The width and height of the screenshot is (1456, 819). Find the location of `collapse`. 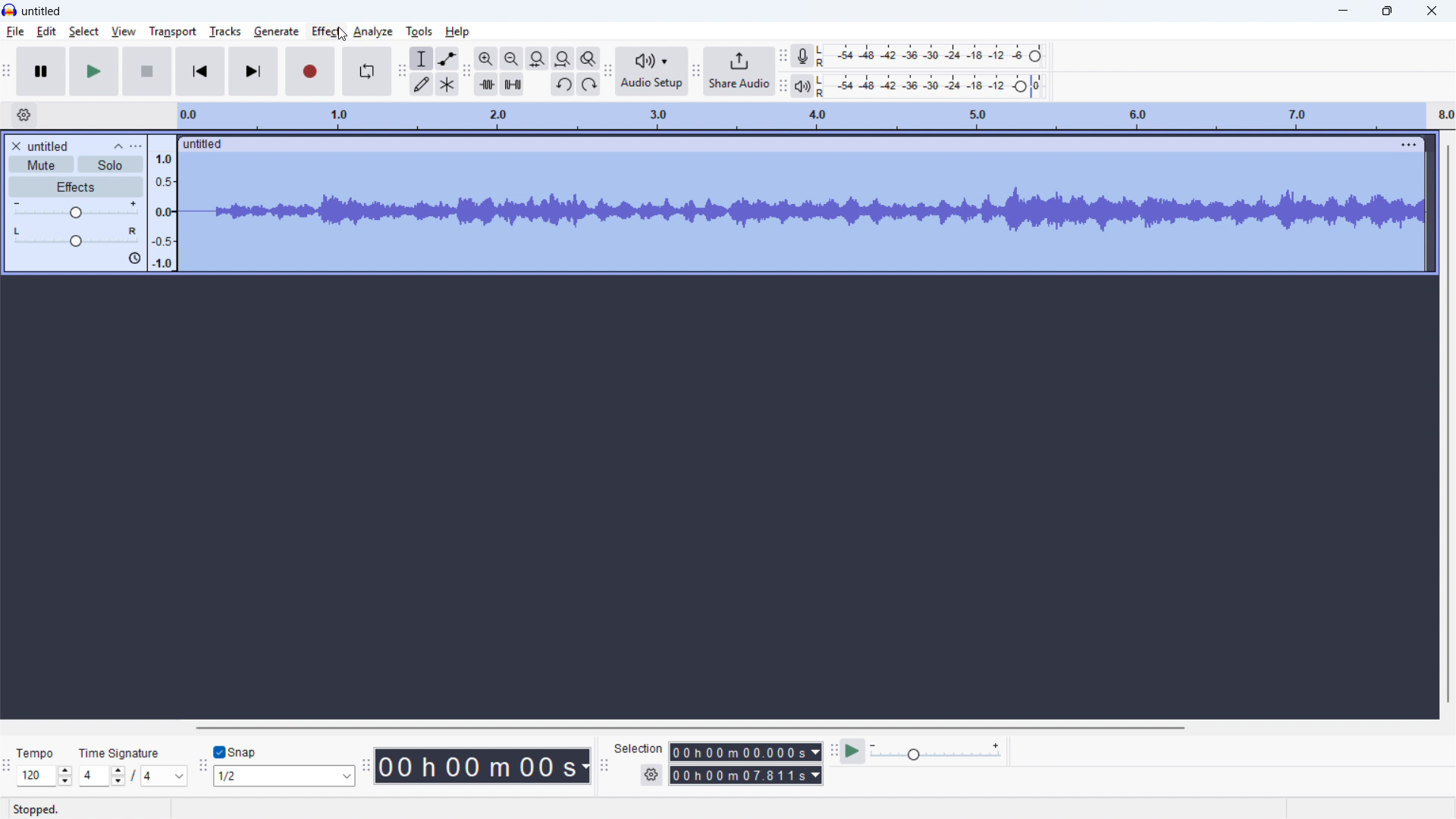

collapse is located at coordinates (118, 146).